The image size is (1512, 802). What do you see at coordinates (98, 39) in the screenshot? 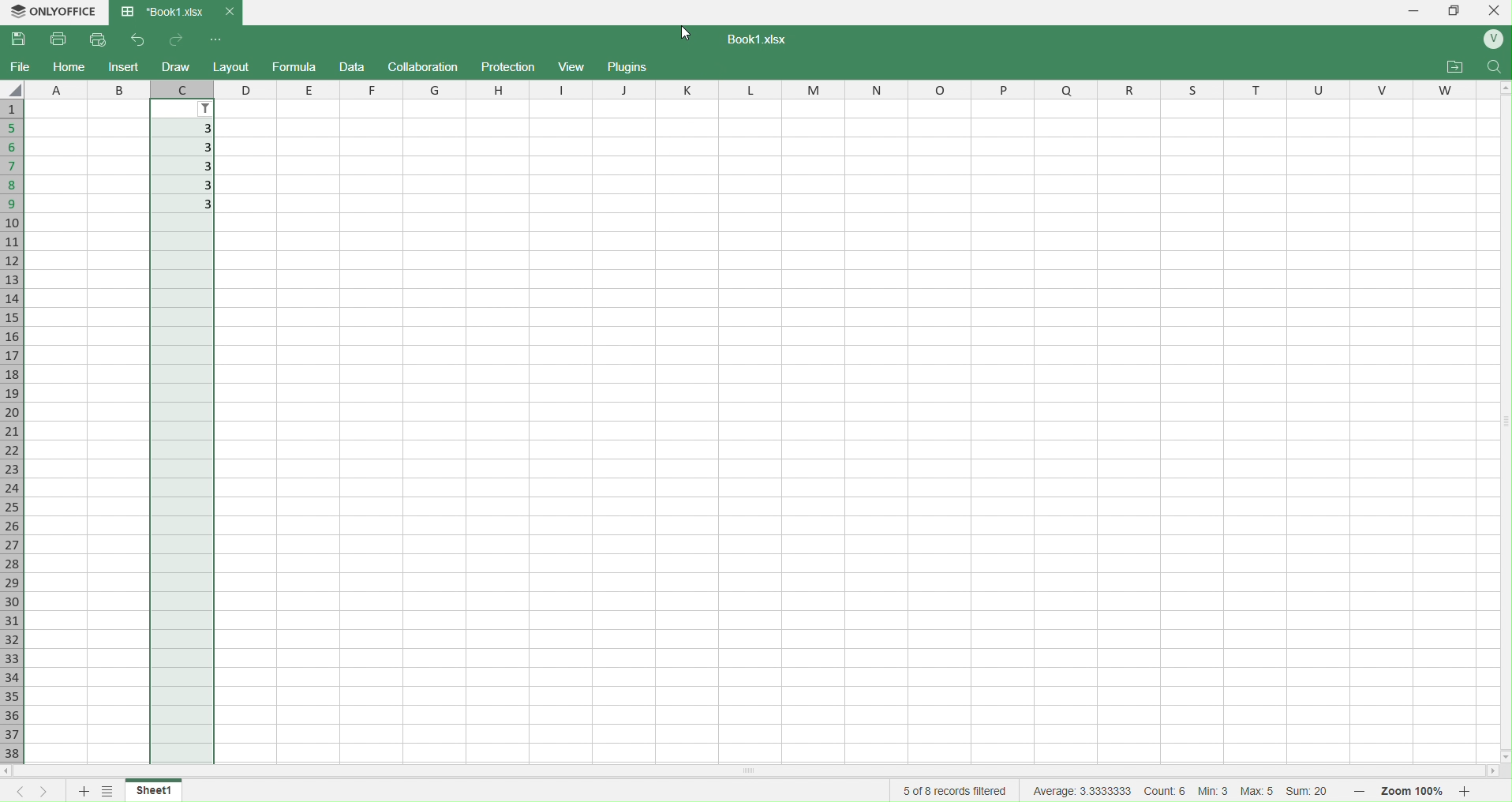
I see `Quick Print` at bounding box center [98, 39].